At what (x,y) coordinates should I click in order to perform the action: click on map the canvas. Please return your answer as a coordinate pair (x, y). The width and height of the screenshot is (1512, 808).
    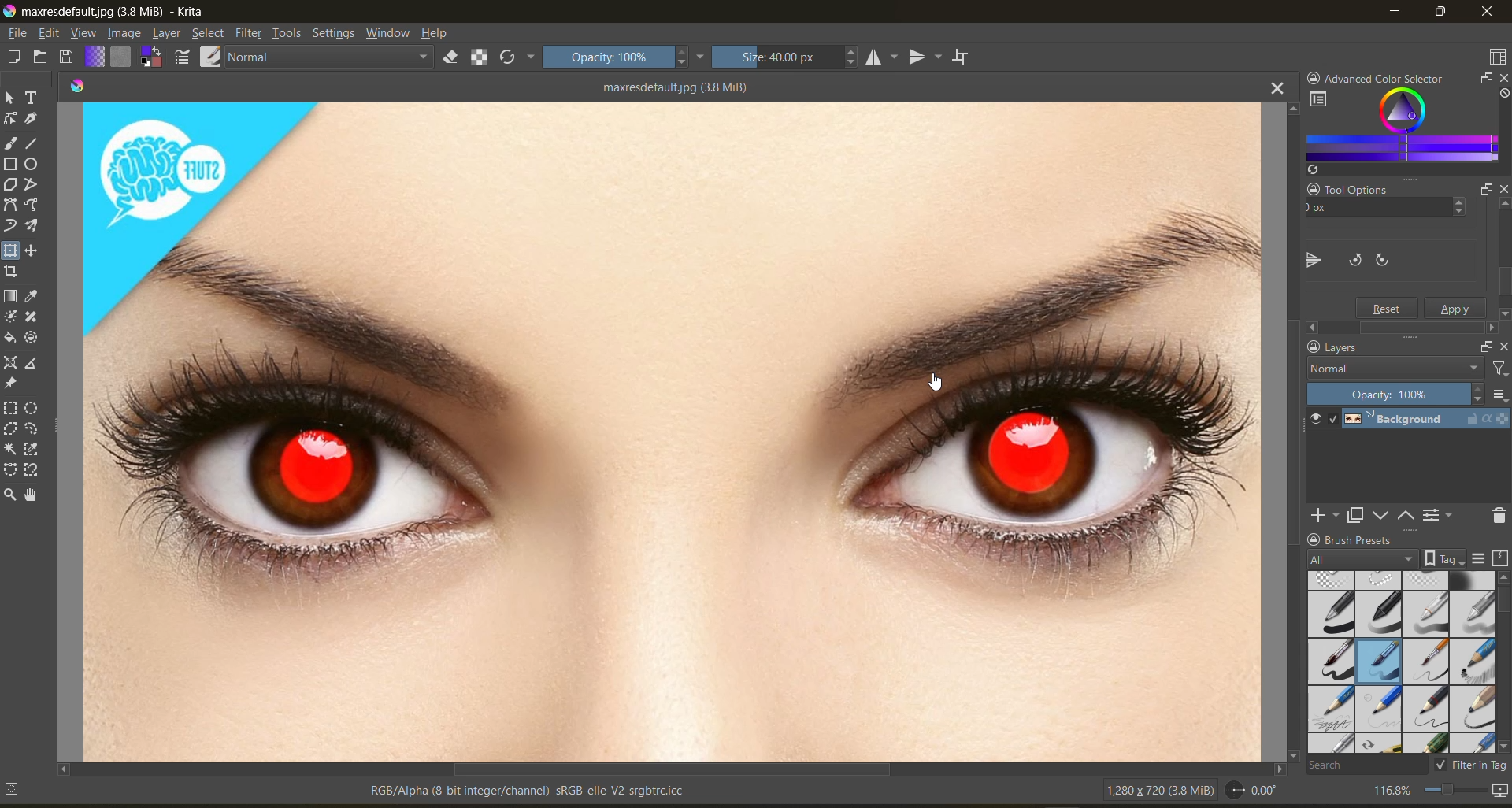
    Looking at the image, I should click on (1498, 790).